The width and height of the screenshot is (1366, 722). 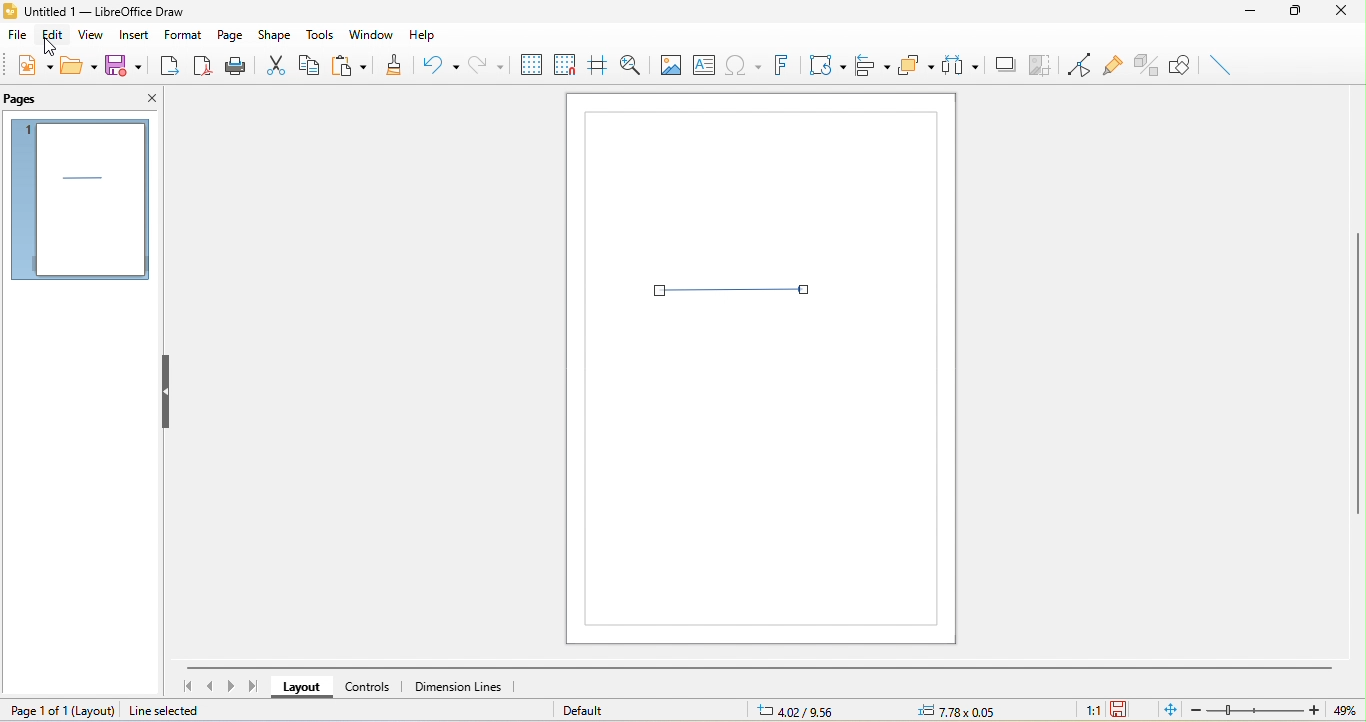 What do you see at coordinates (88, 36) in the screenshot?
I see `view` at bounding box center [88, 36].